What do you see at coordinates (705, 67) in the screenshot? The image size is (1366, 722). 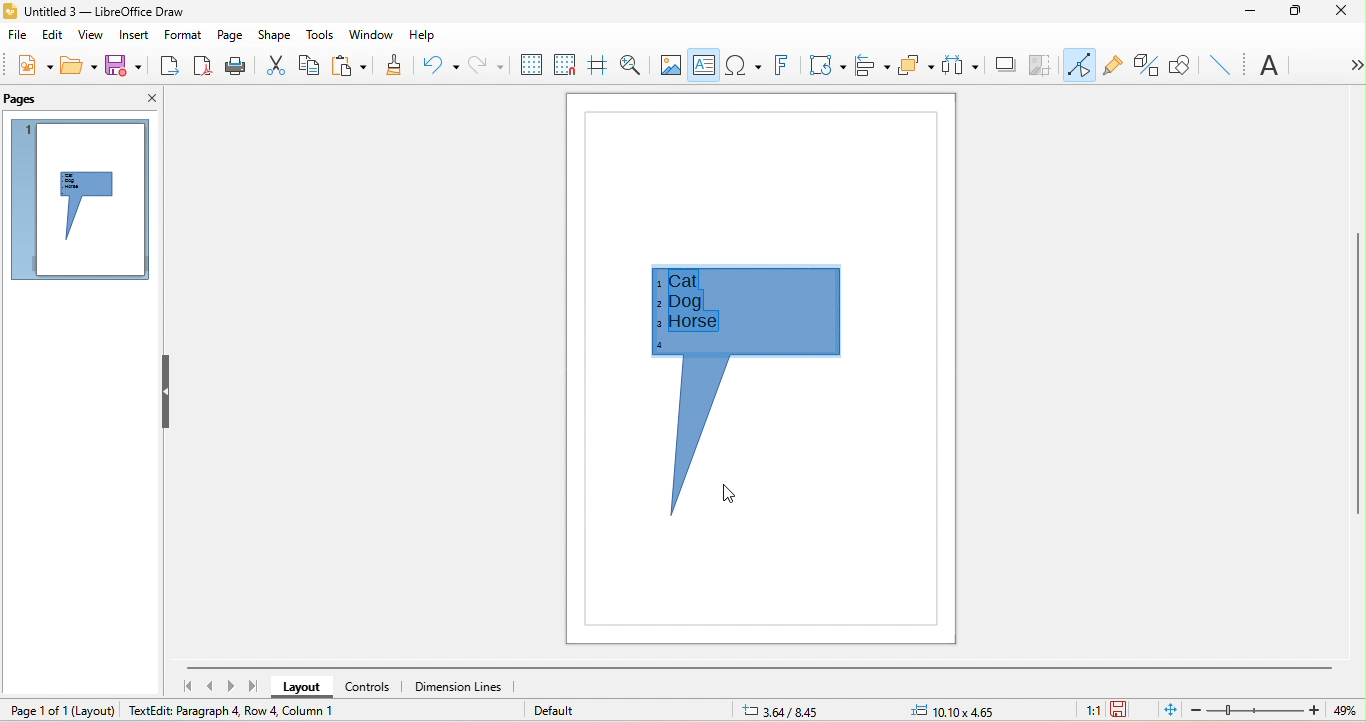 I see `text box` at bounding box center [705, 67].